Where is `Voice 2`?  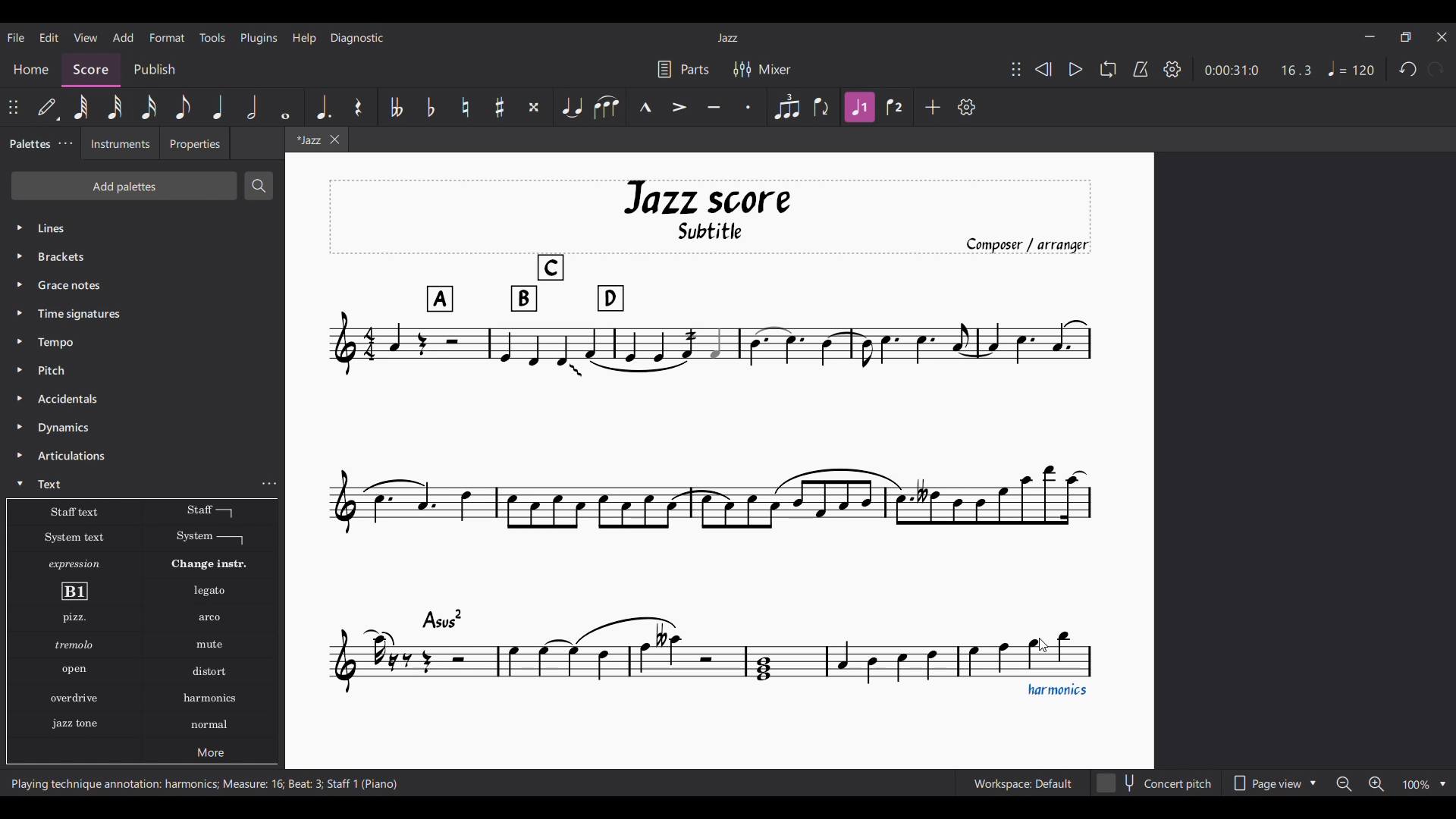
Voice 2 is located at coordinates (895, 106).